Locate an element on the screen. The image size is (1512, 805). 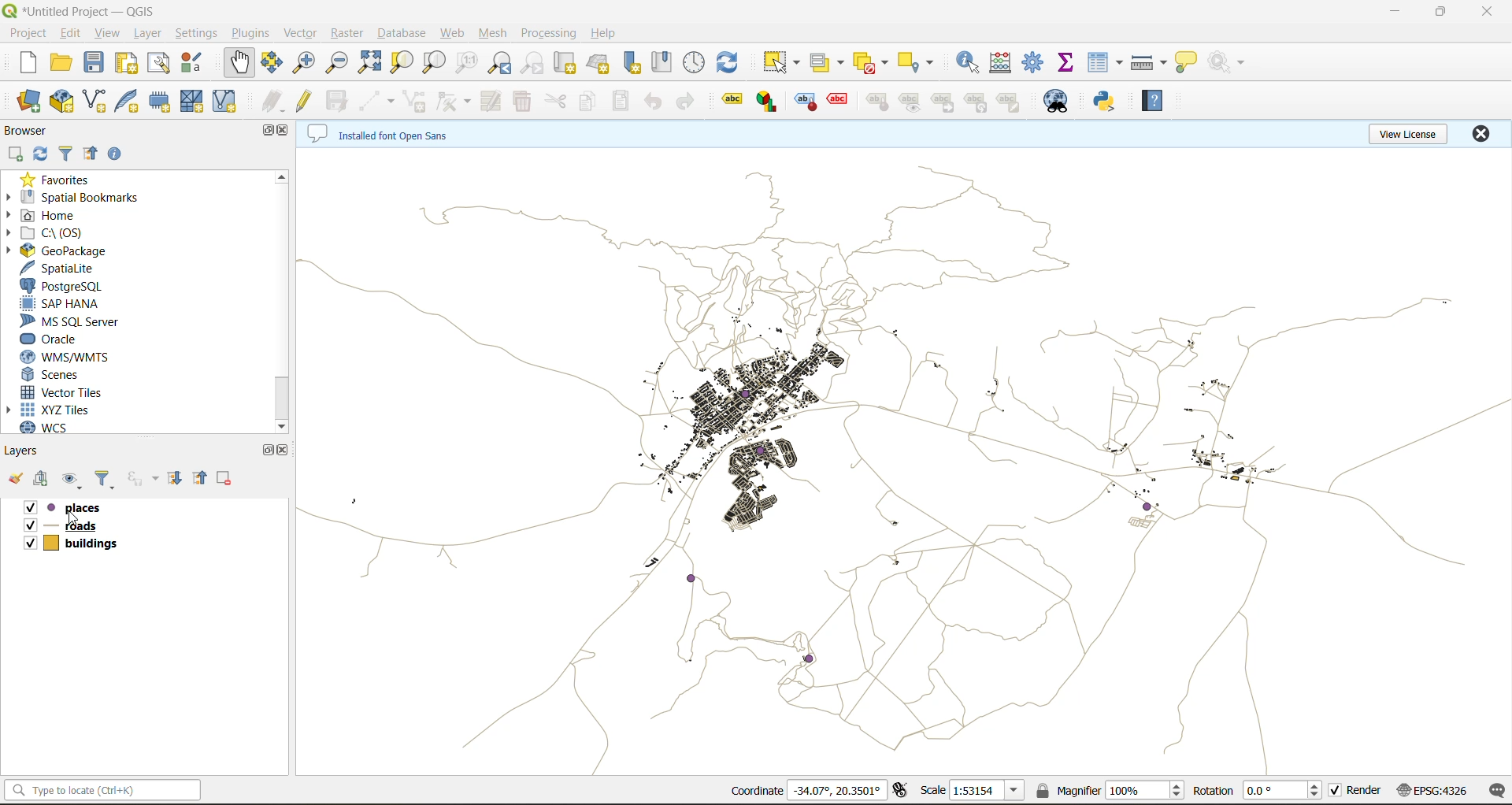
toggle edits is located at coordinates (306, 101).